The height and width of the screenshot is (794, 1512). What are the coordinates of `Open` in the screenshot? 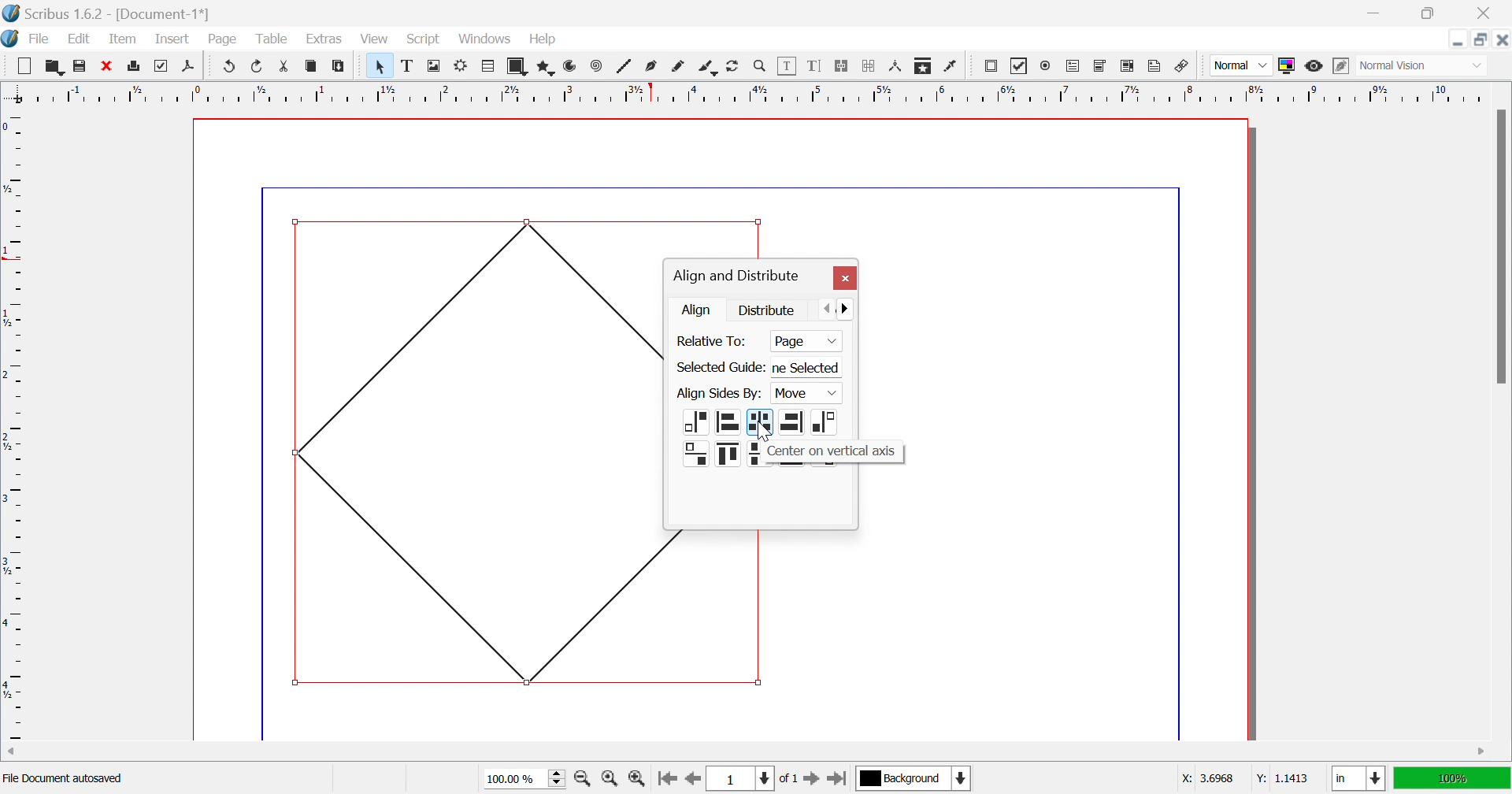 It's located at (54, 65).